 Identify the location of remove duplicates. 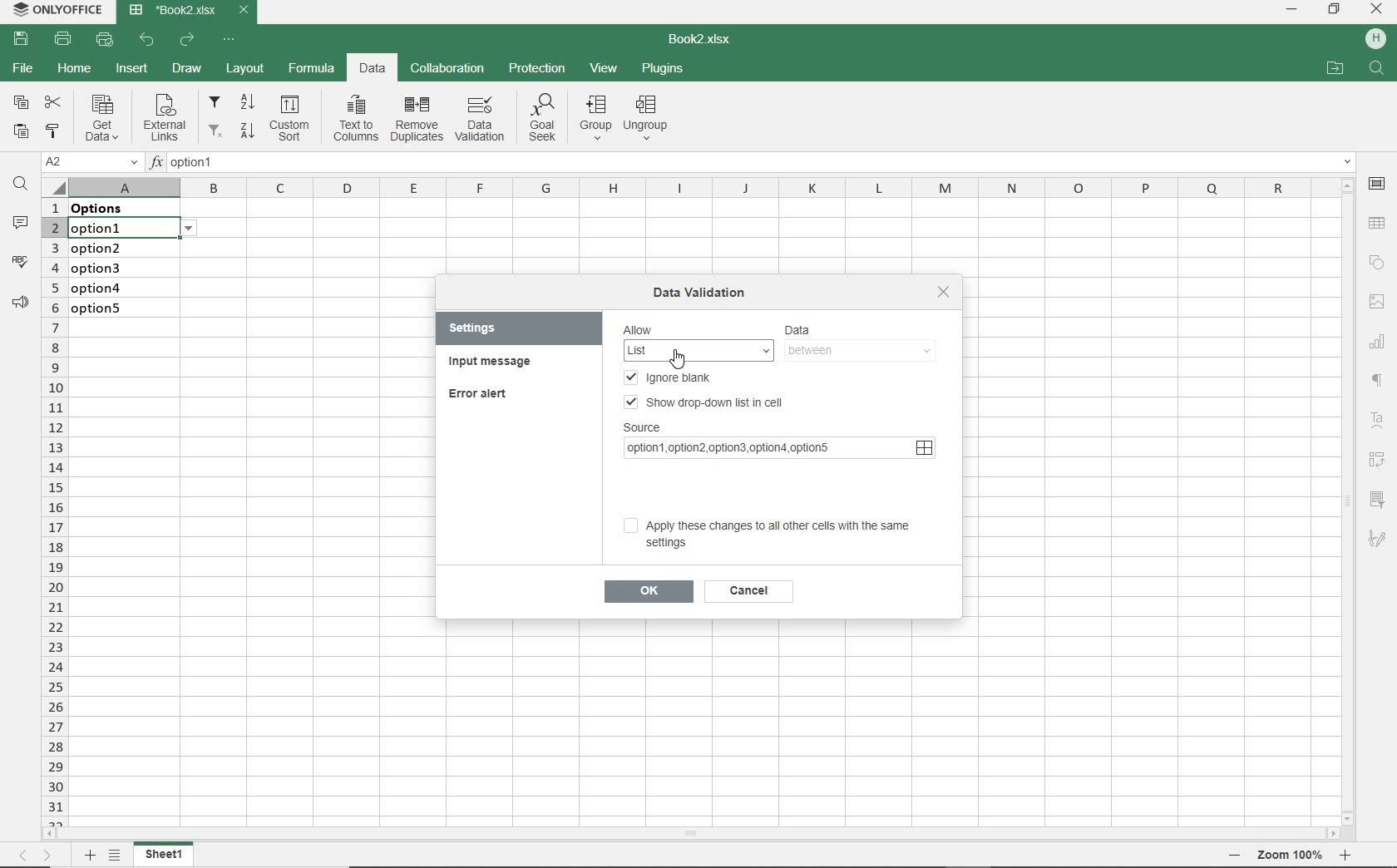
(417, 120).